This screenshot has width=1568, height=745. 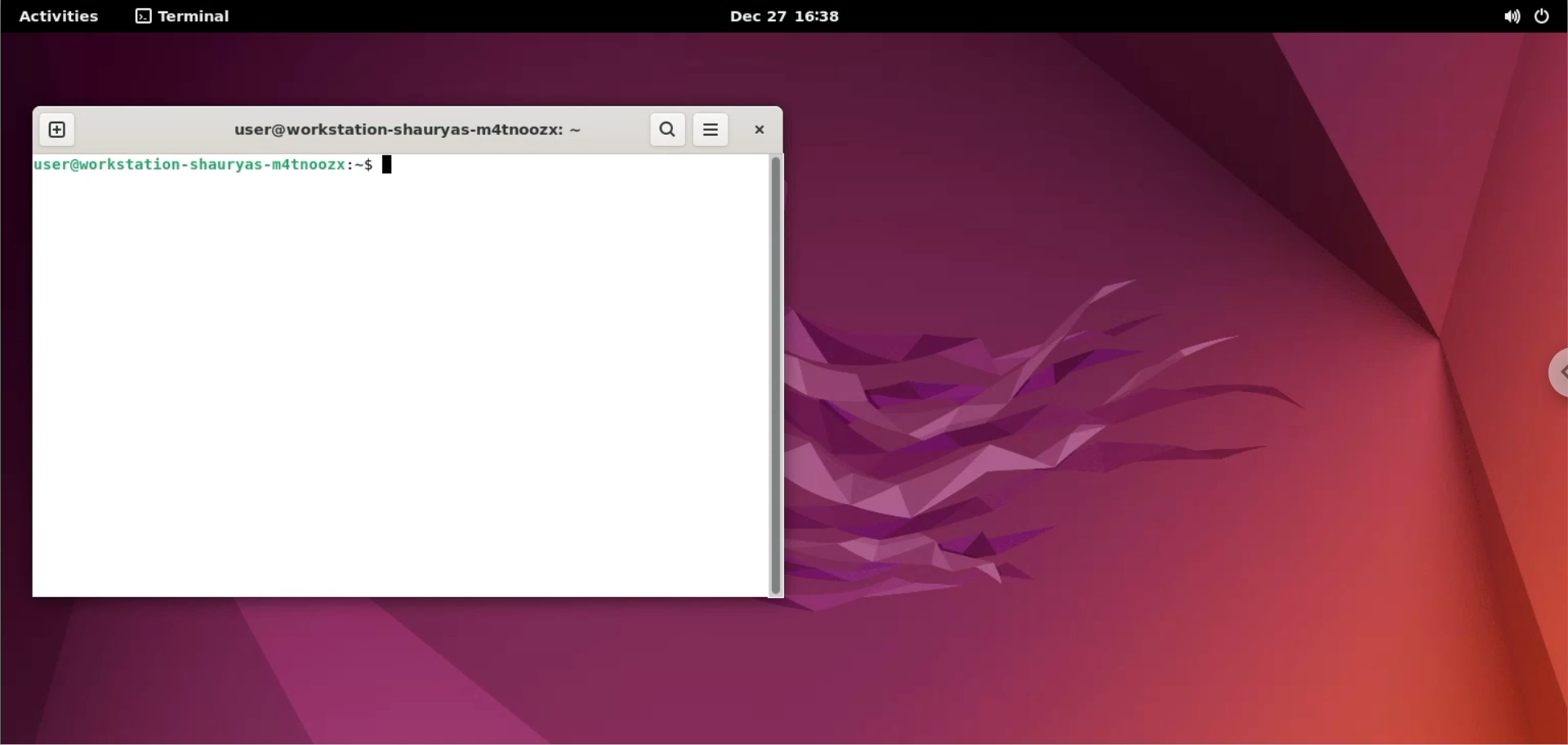 I want to click on search, so click(x=670, y=131).